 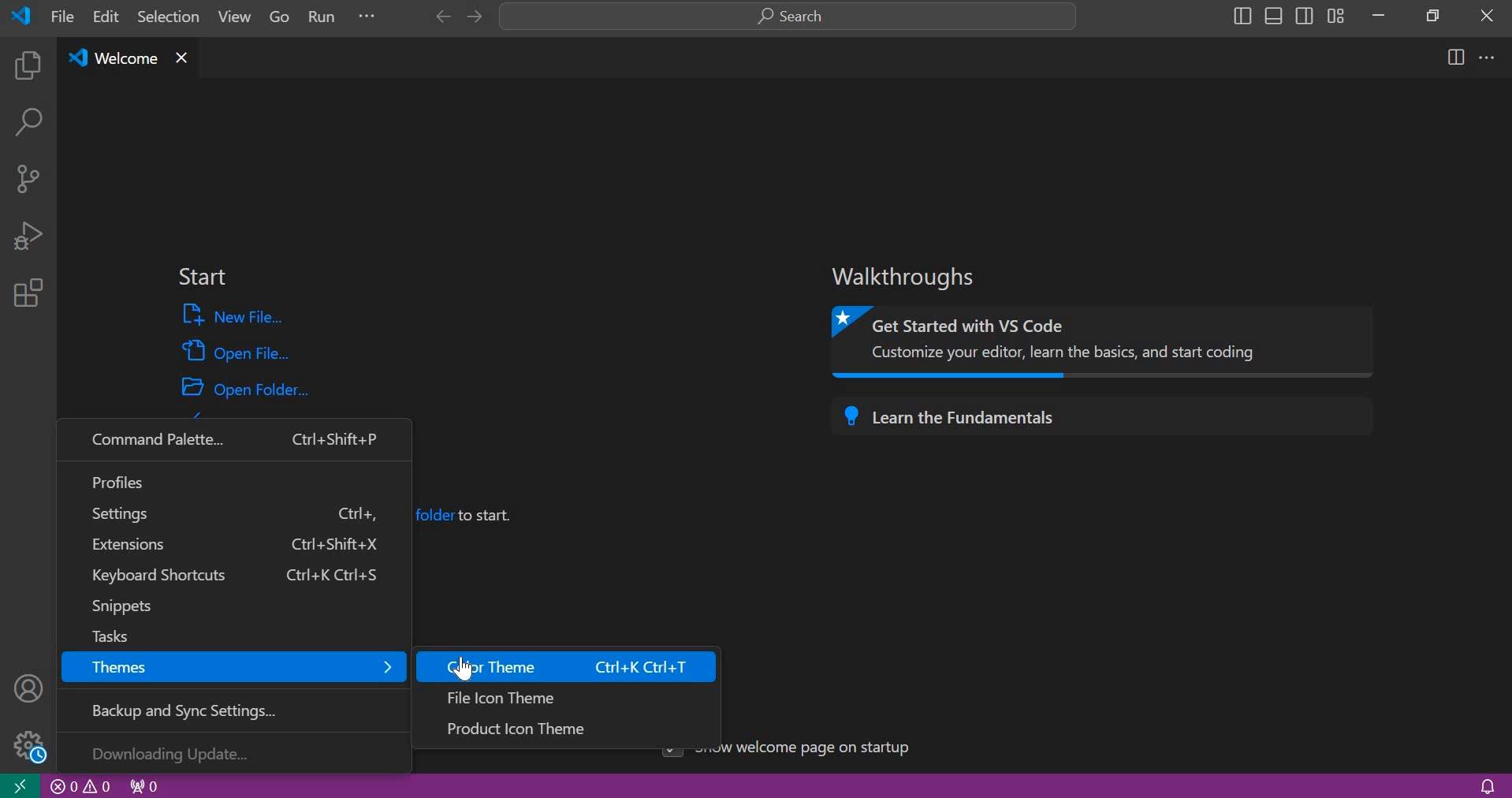 I want to click on close, so click(x=1488, y=15).